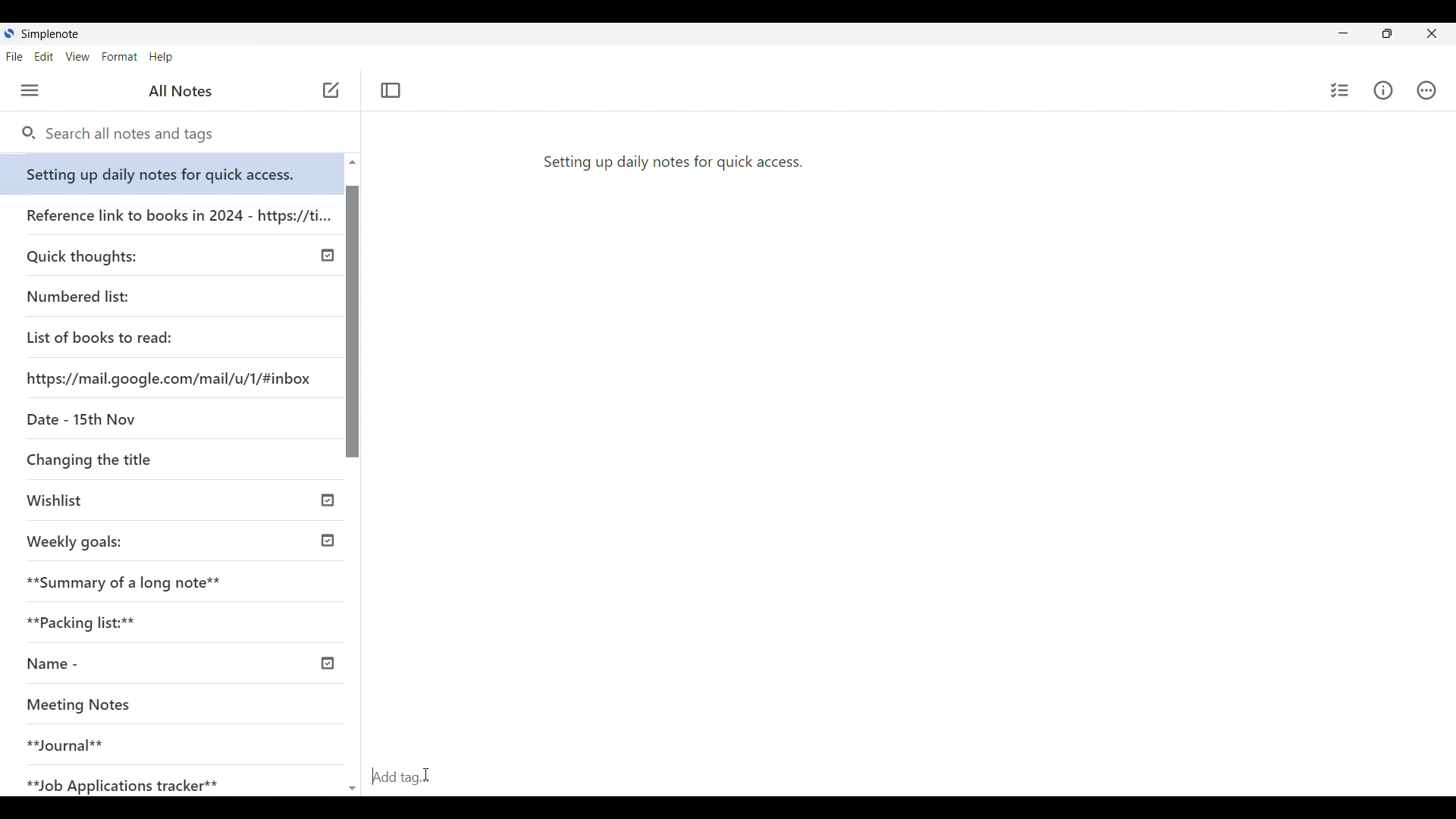  I want to click on Format menu, so click(120, 57).